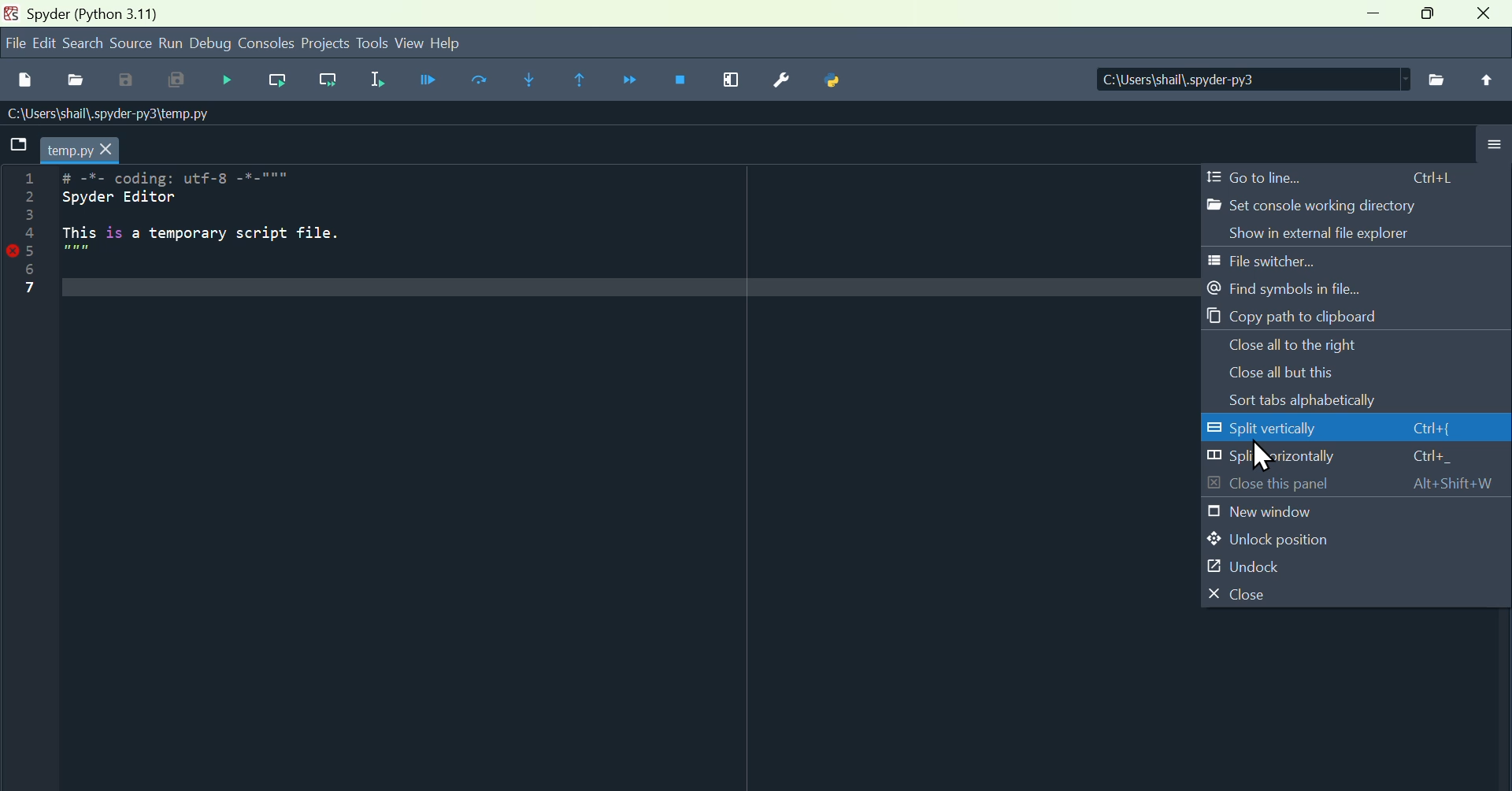 The width and height of the screenshot is (1512, 791). I want to click on Cursor on Split vertically, so click(1269, 459).